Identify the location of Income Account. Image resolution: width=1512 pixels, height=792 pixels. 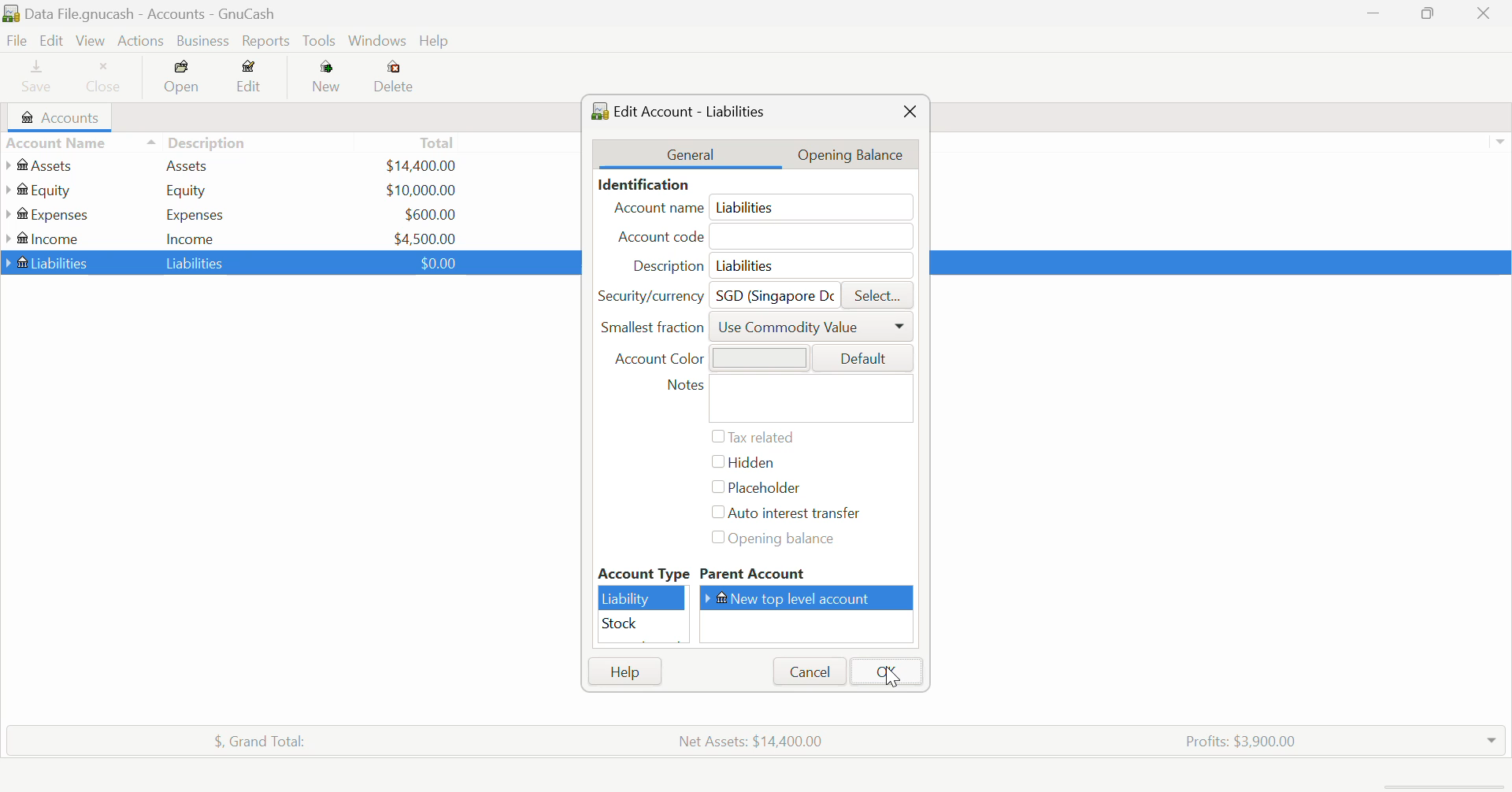
(47, 239).